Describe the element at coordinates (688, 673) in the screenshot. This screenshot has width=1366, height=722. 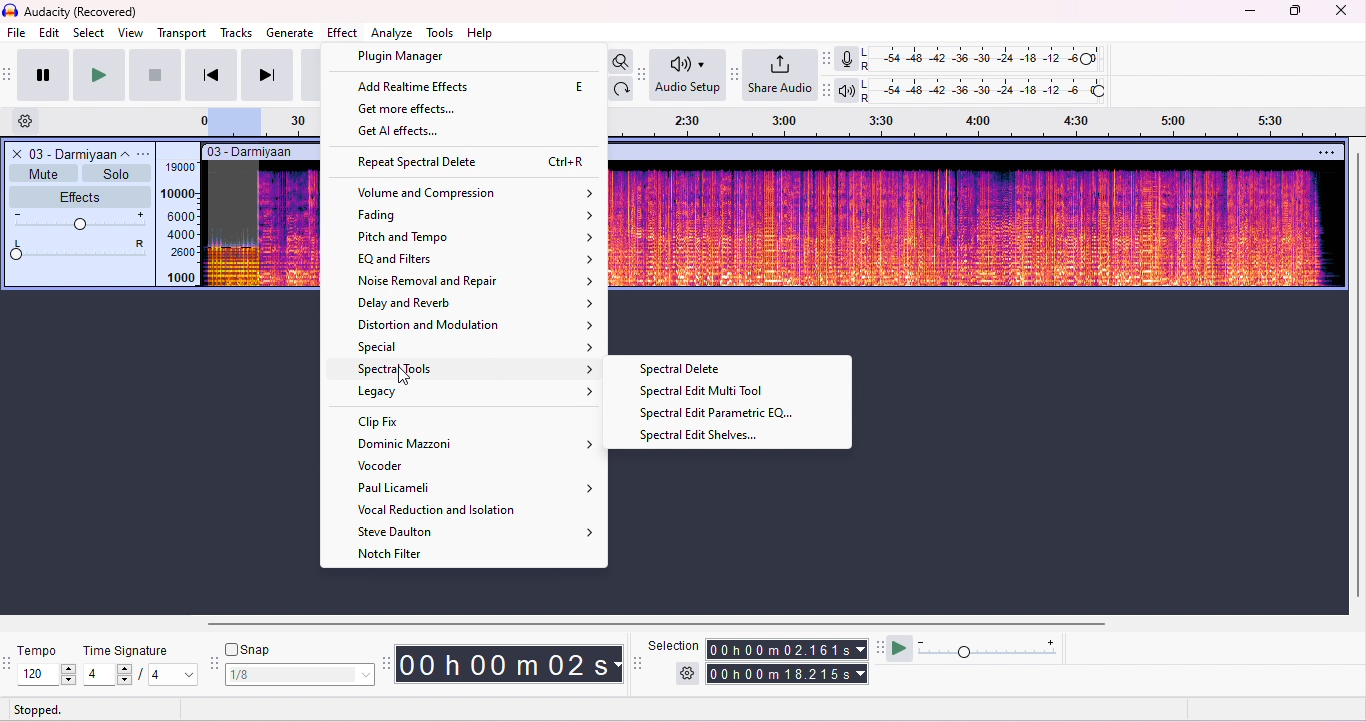
I see `selection settings` at that location.